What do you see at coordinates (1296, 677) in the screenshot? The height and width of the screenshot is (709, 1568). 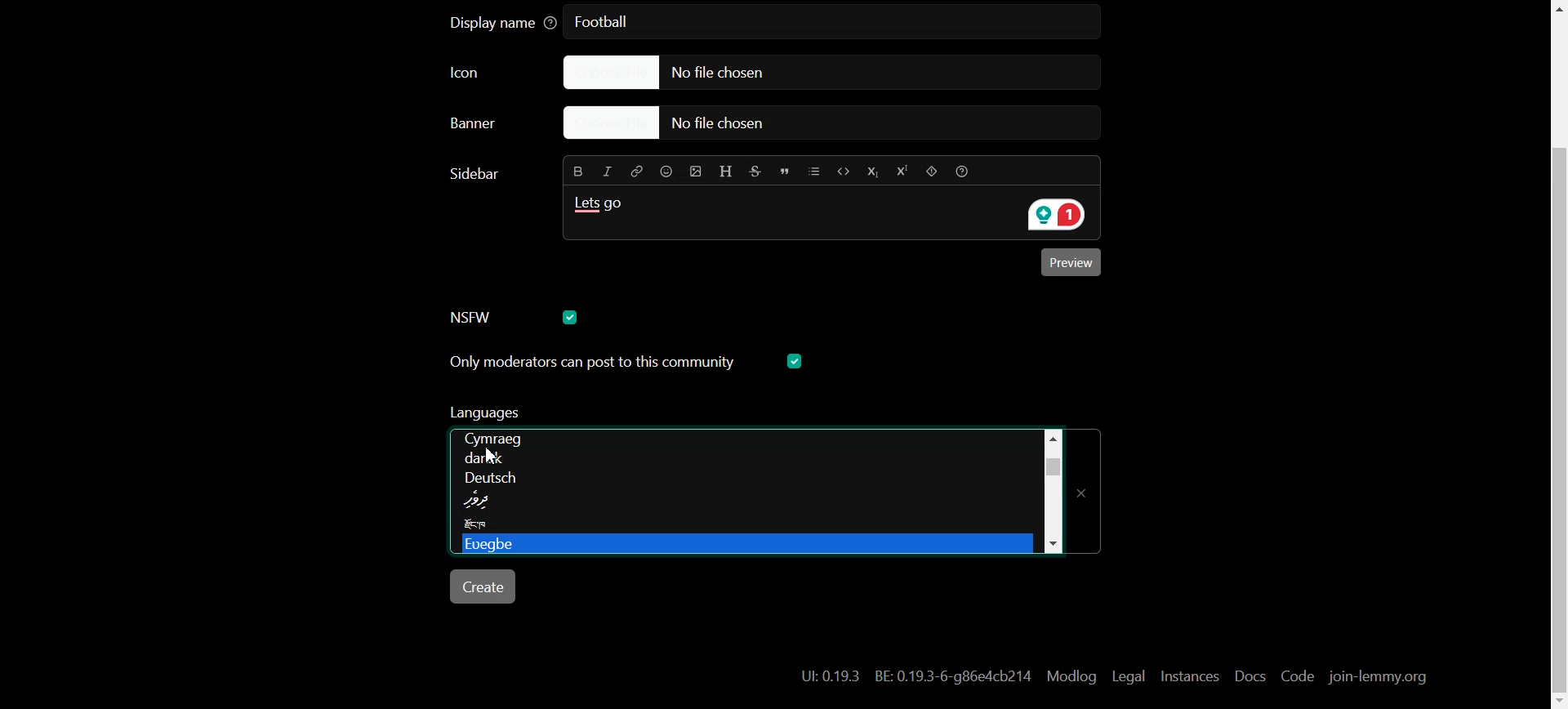 I see `Code` at bounding box center [1296, 677].